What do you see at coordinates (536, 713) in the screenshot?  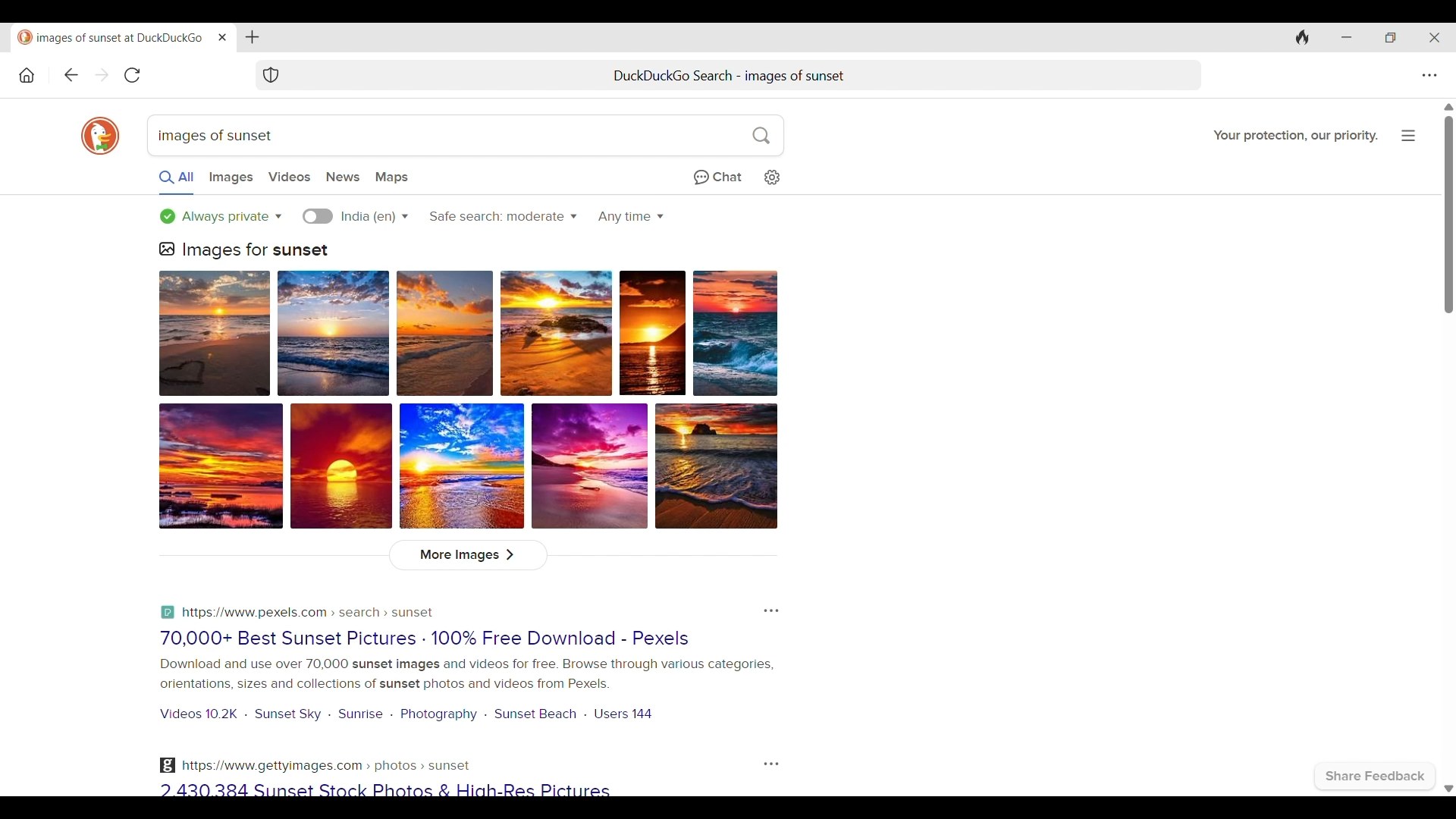 I see `Sunset Beach` at bounding box center [536, 713].